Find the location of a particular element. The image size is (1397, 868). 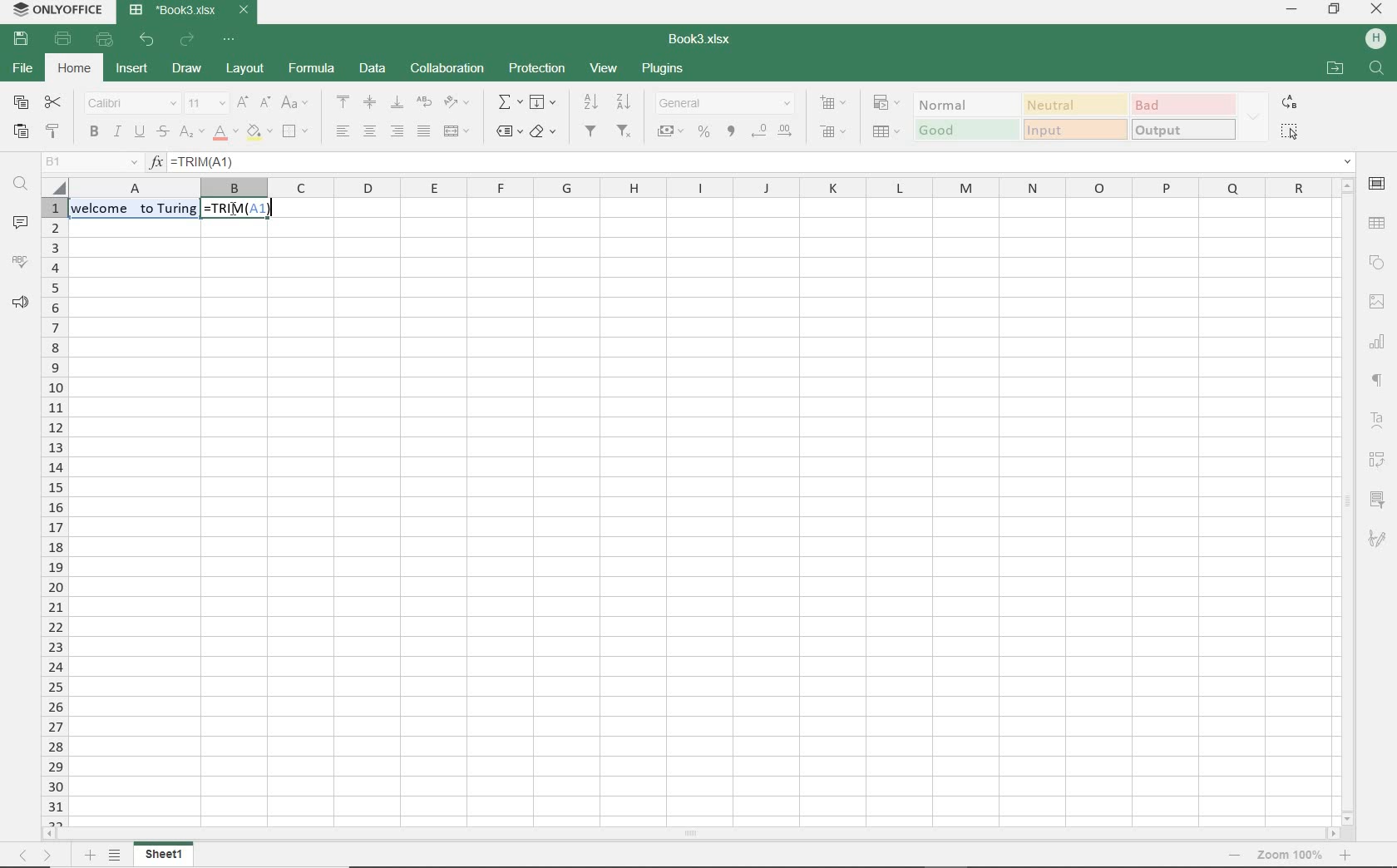

move across sheets is located at coordinates (33, 854).